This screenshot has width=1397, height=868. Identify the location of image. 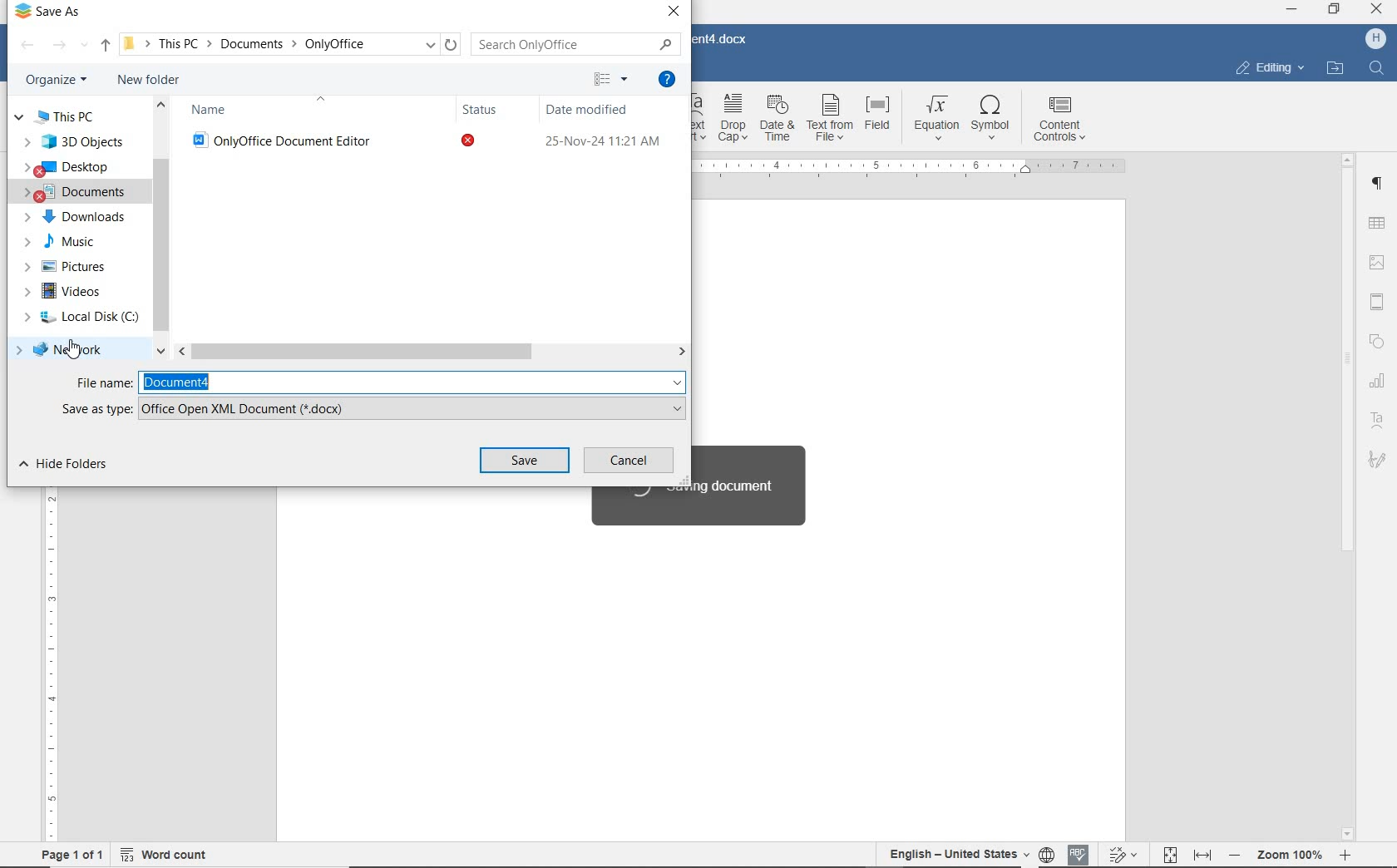
(1380, 262).